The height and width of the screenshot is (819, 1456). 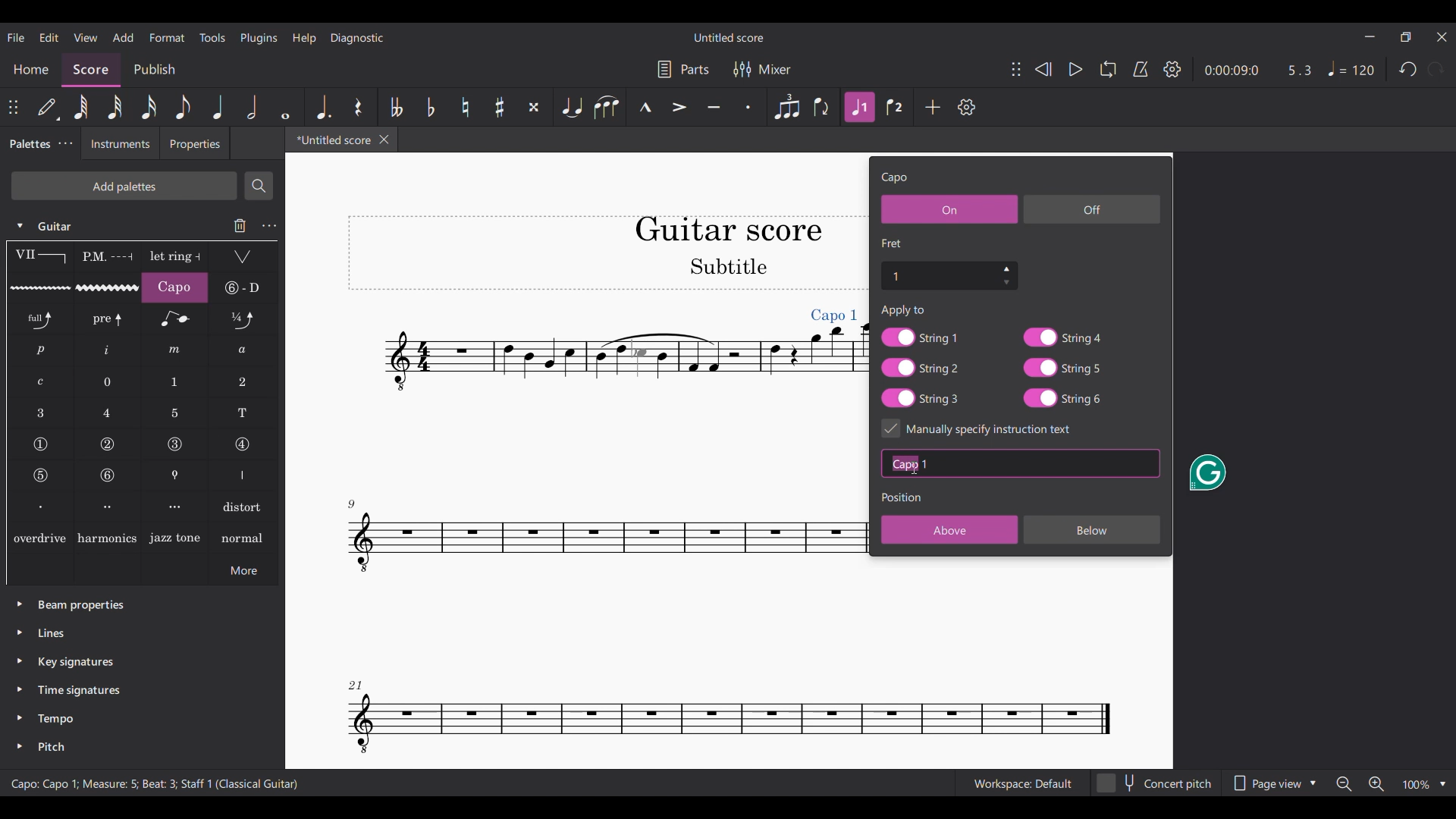 I want to click on Plugins menu, so click(x=259, y=39).